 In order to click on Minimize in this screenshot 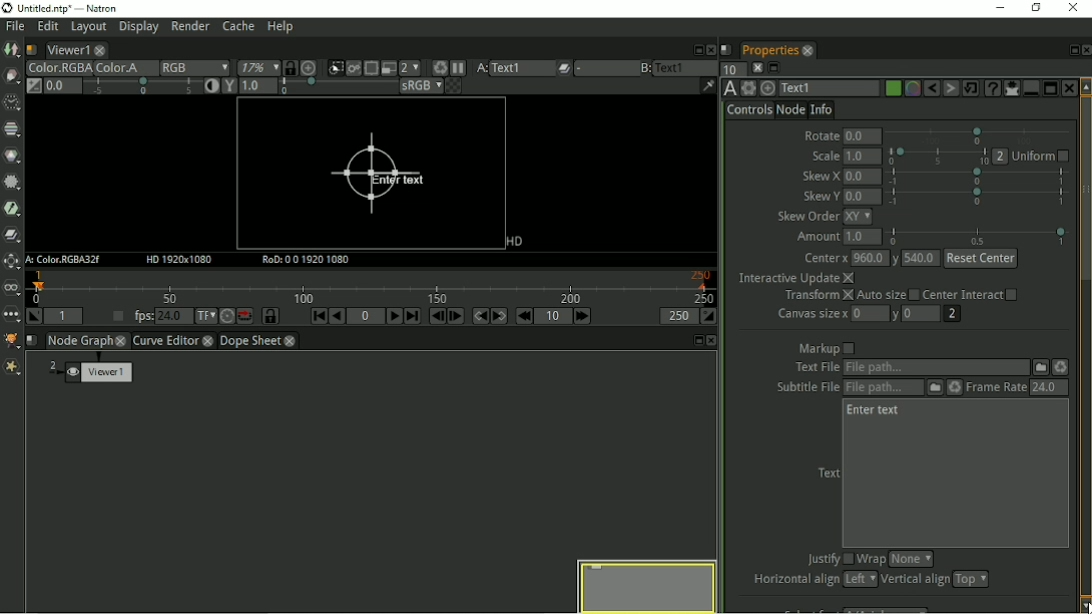, I will do `click(1031, 88)`.